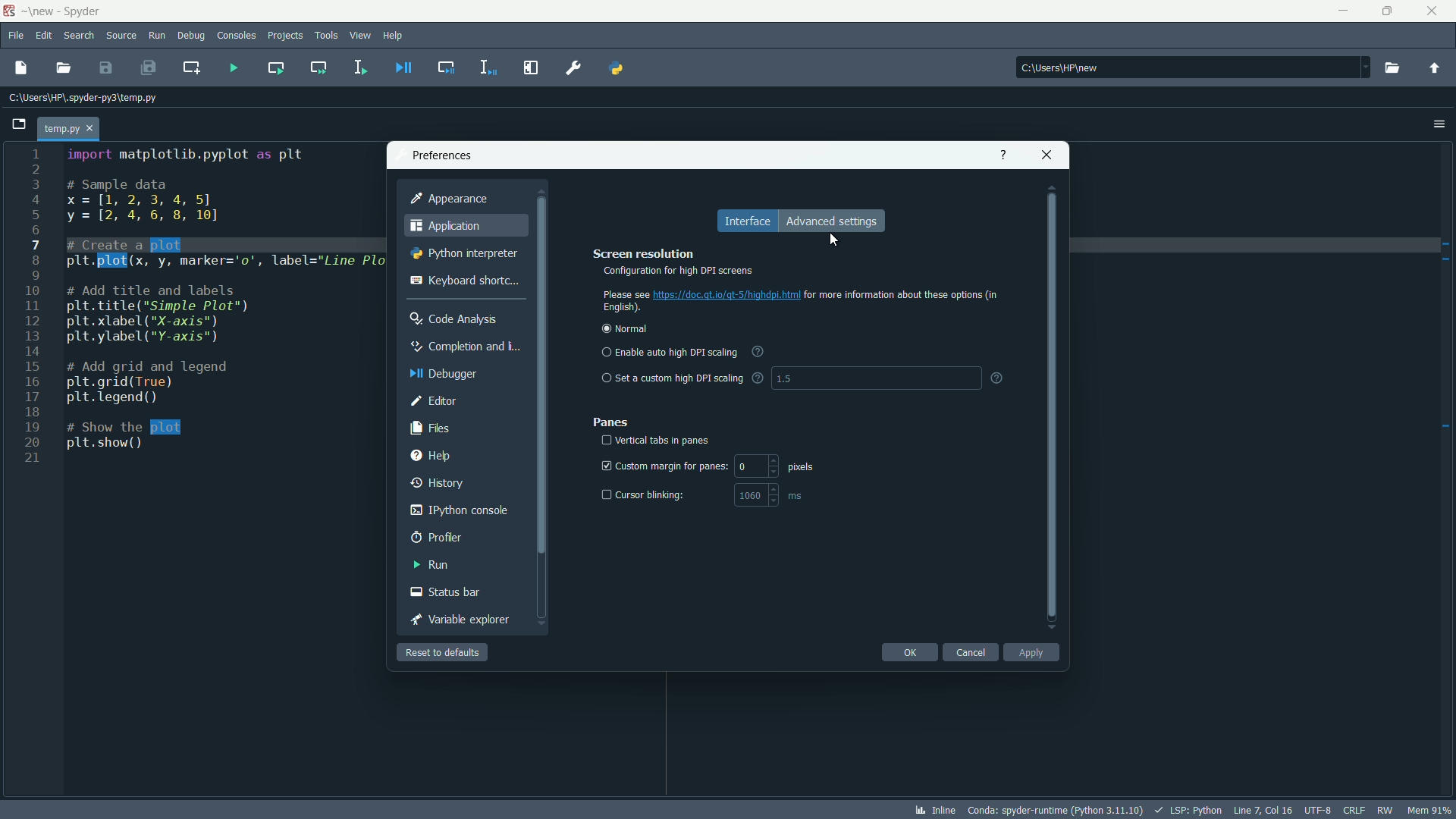 The height and width of the screenshot is (819, 1456). Describe the element at coordinates (438, 480) in the screenshot. I see `history` at that location.